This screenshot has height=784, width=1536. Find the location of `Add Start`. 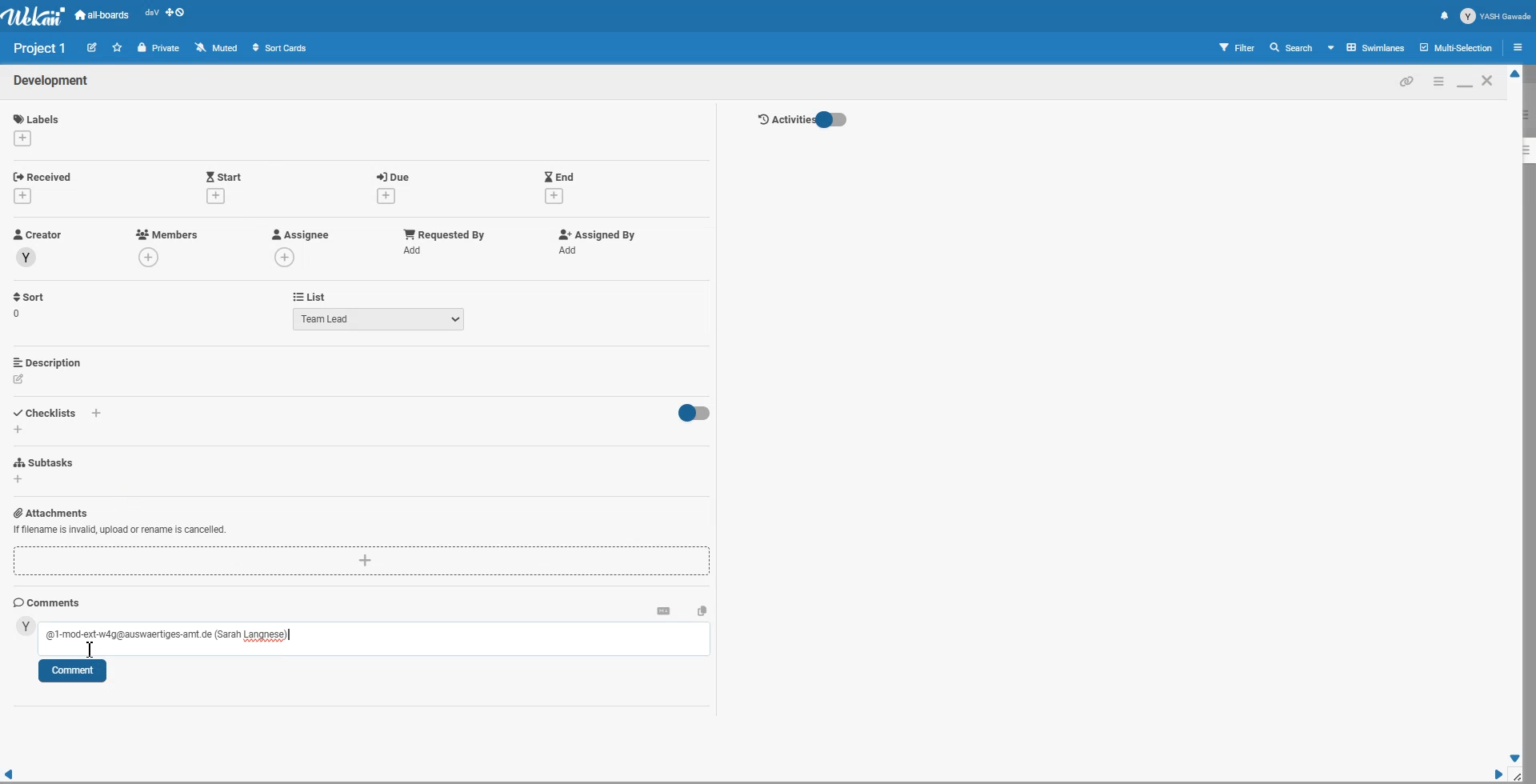

Add Start is located at coordinates (224, 175).